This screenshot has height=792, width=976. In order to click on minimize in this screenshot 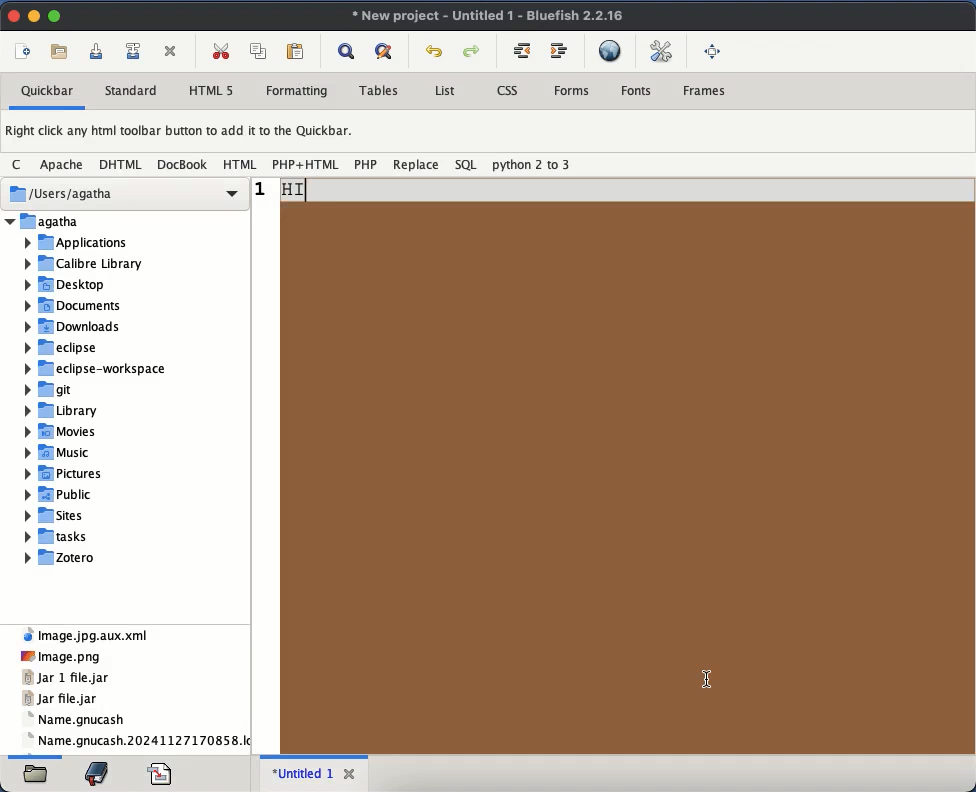, I will do `click(34, 15)`.